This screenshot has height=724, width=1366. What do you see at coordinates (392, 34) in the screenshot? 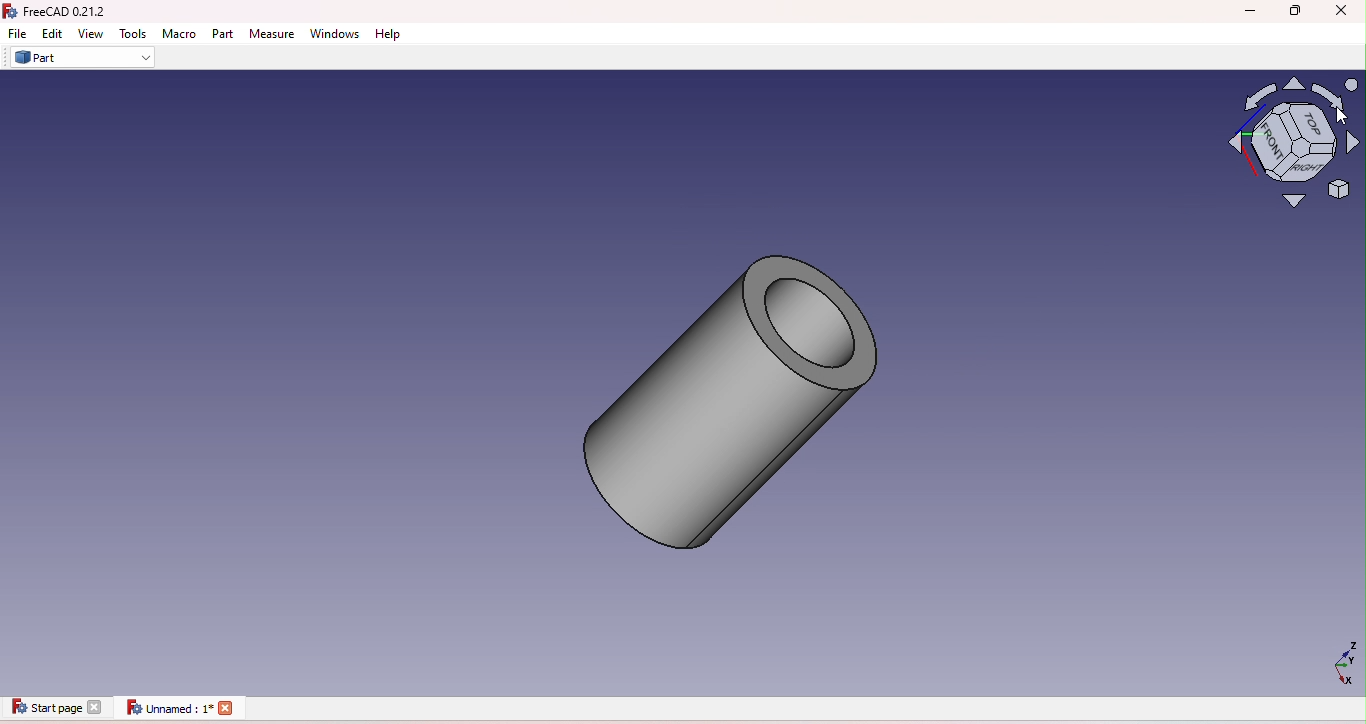
I see `Help` at bounding box center [392, 34].